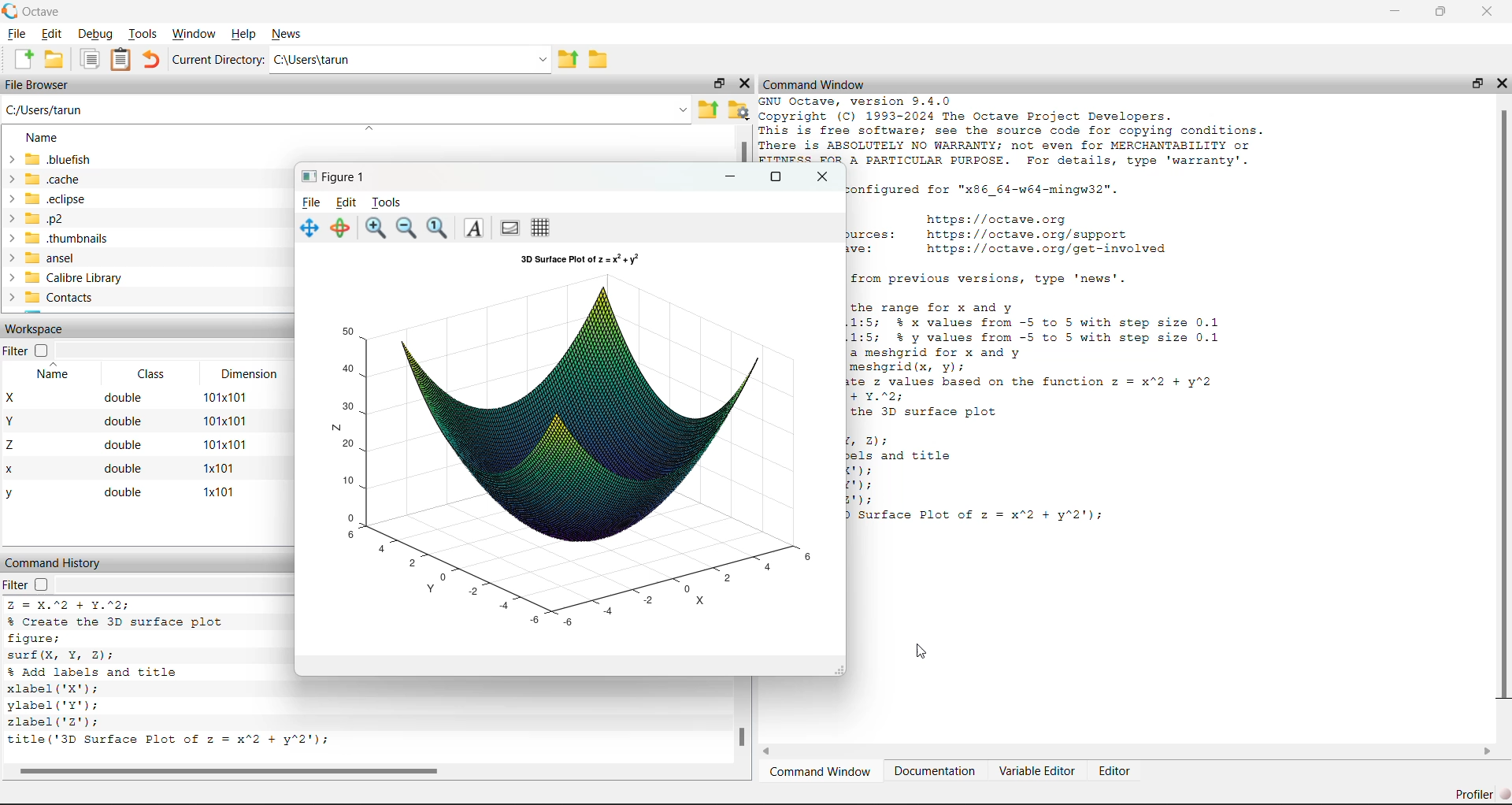 Image resolution: width=1512 pixels, height=805 pixels. Describe the element at coordinates (1036, 770) in the screenshot. I see `Variable Editor` at that location.